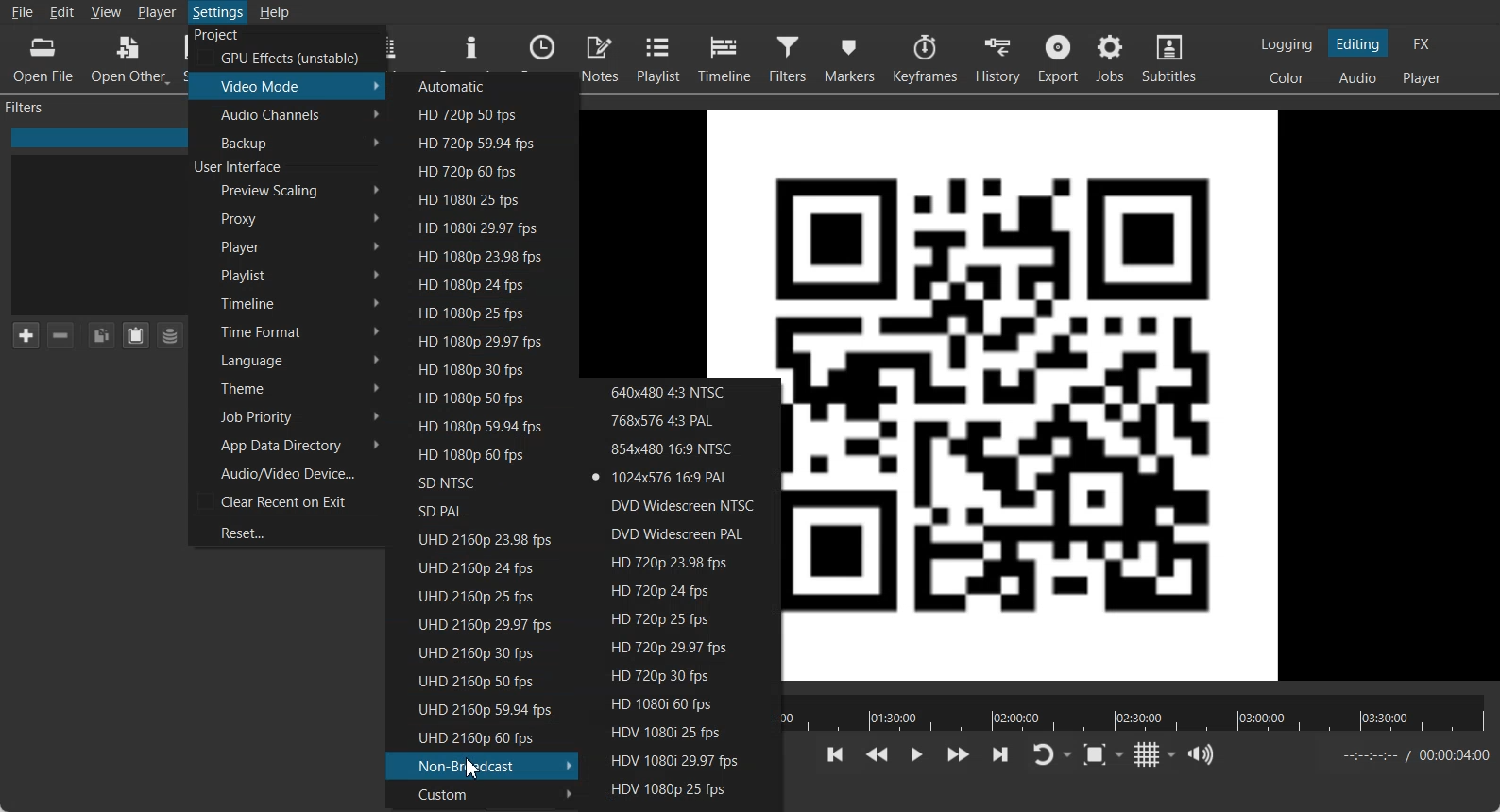  What do you see at coordinates (659, 58) in the screenshot?
I see `Playlist` at bounding box center [659, 58].